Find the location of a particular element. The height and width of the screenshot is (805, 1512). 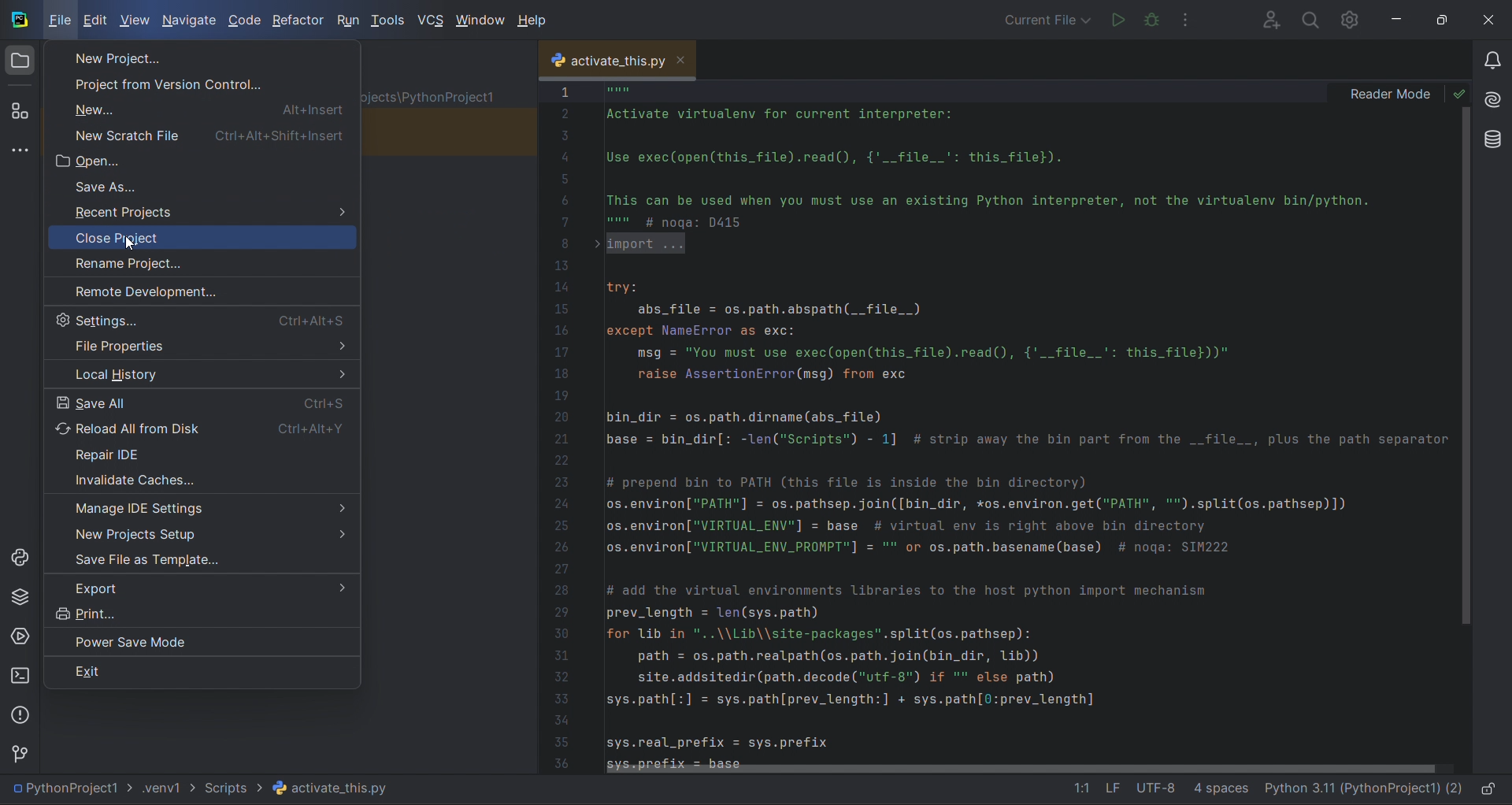

file is located at coordinates (60, 20).